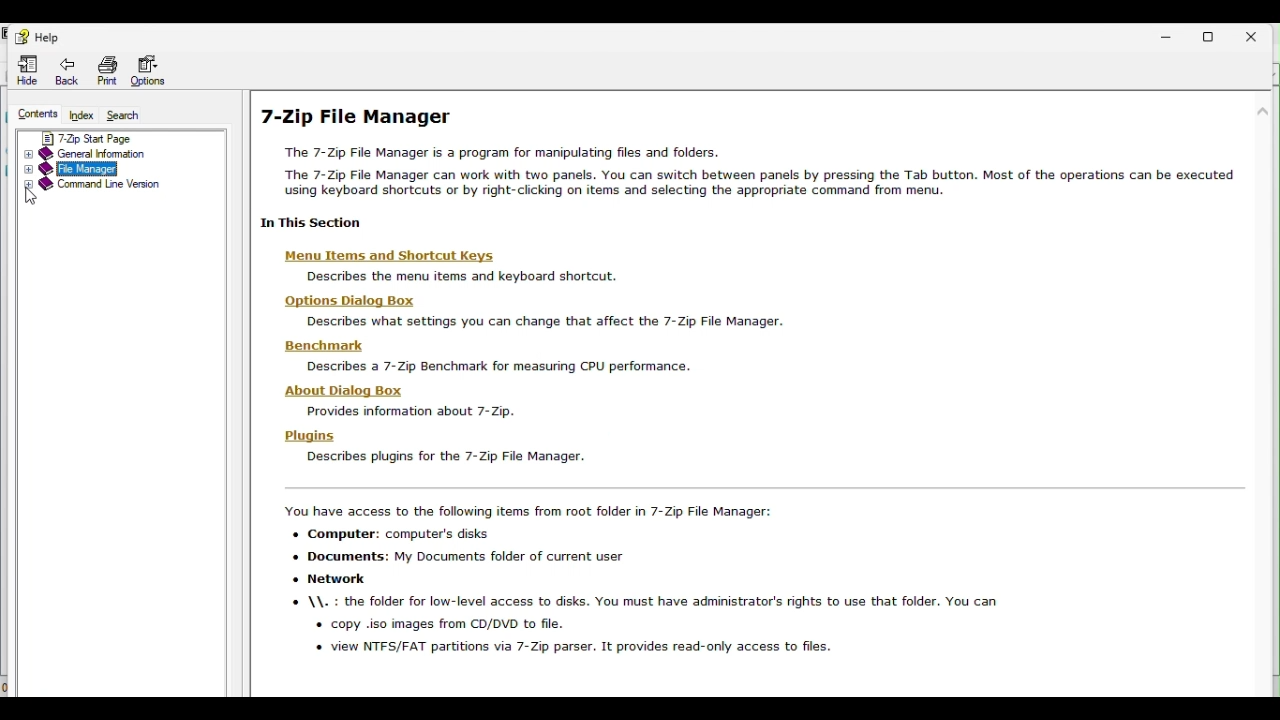  Describe the element at coordinates (153, 66) in the screenshot. I see `Options` at that location.